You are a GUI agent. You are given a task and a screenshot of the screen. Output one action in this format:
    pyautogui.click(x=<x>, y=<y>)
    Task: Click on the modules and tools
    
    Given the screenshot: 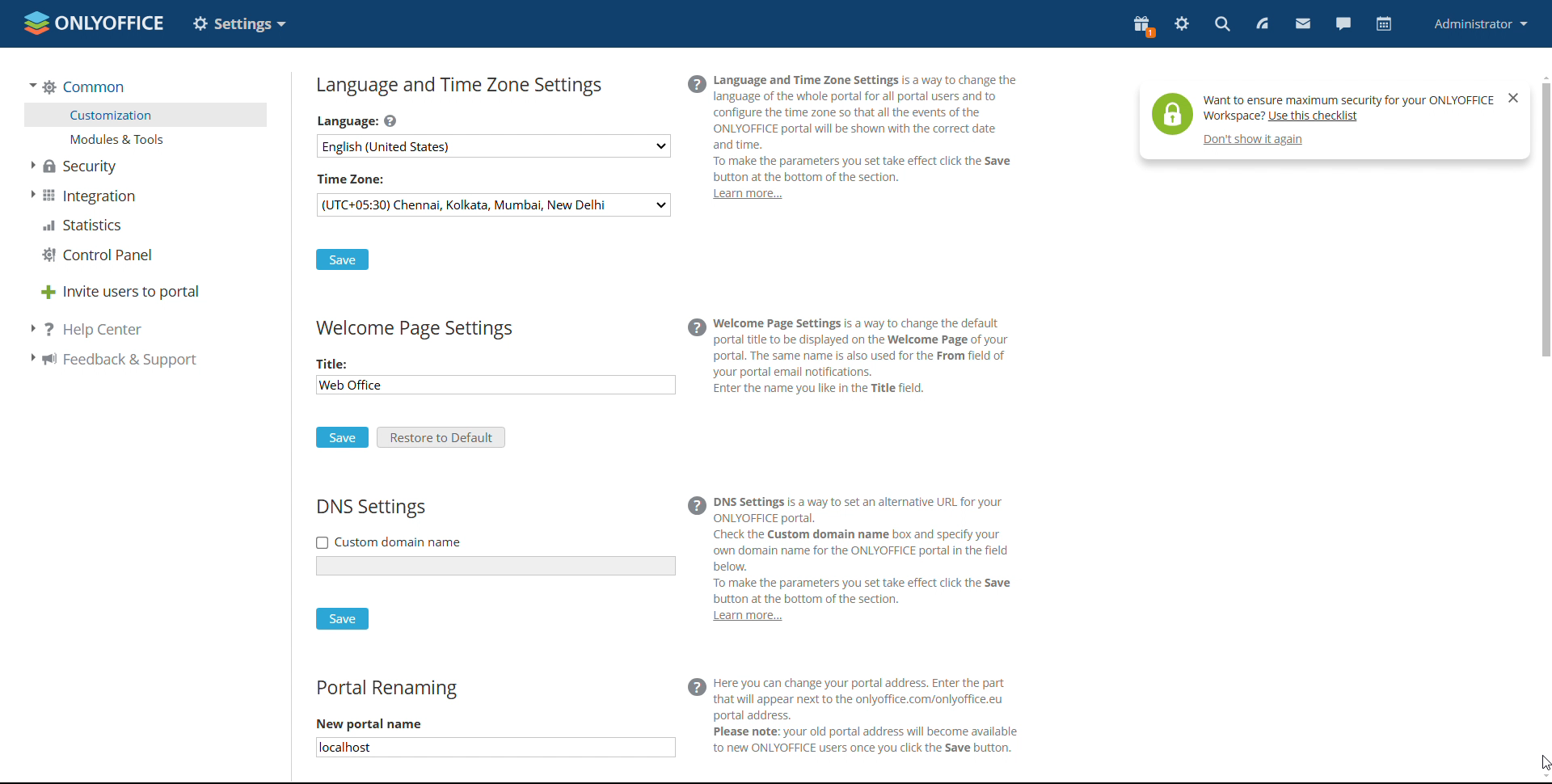 What is the action you would take?
    pyautogui.click(x=147, y=139)
    